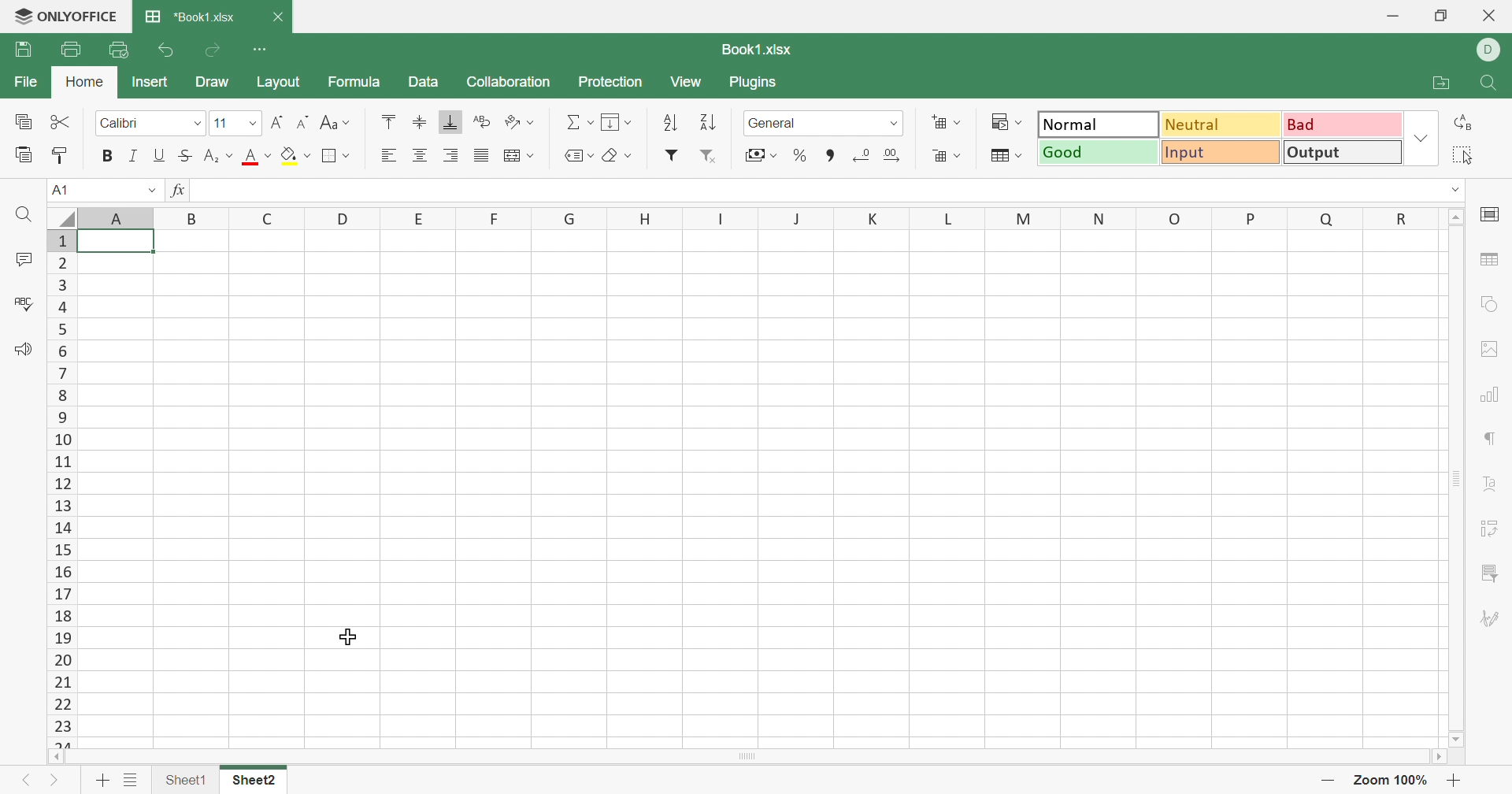 The width and height of the screenshot is (1512, 794). I want to click on Chart settings, so click(1492, 392).